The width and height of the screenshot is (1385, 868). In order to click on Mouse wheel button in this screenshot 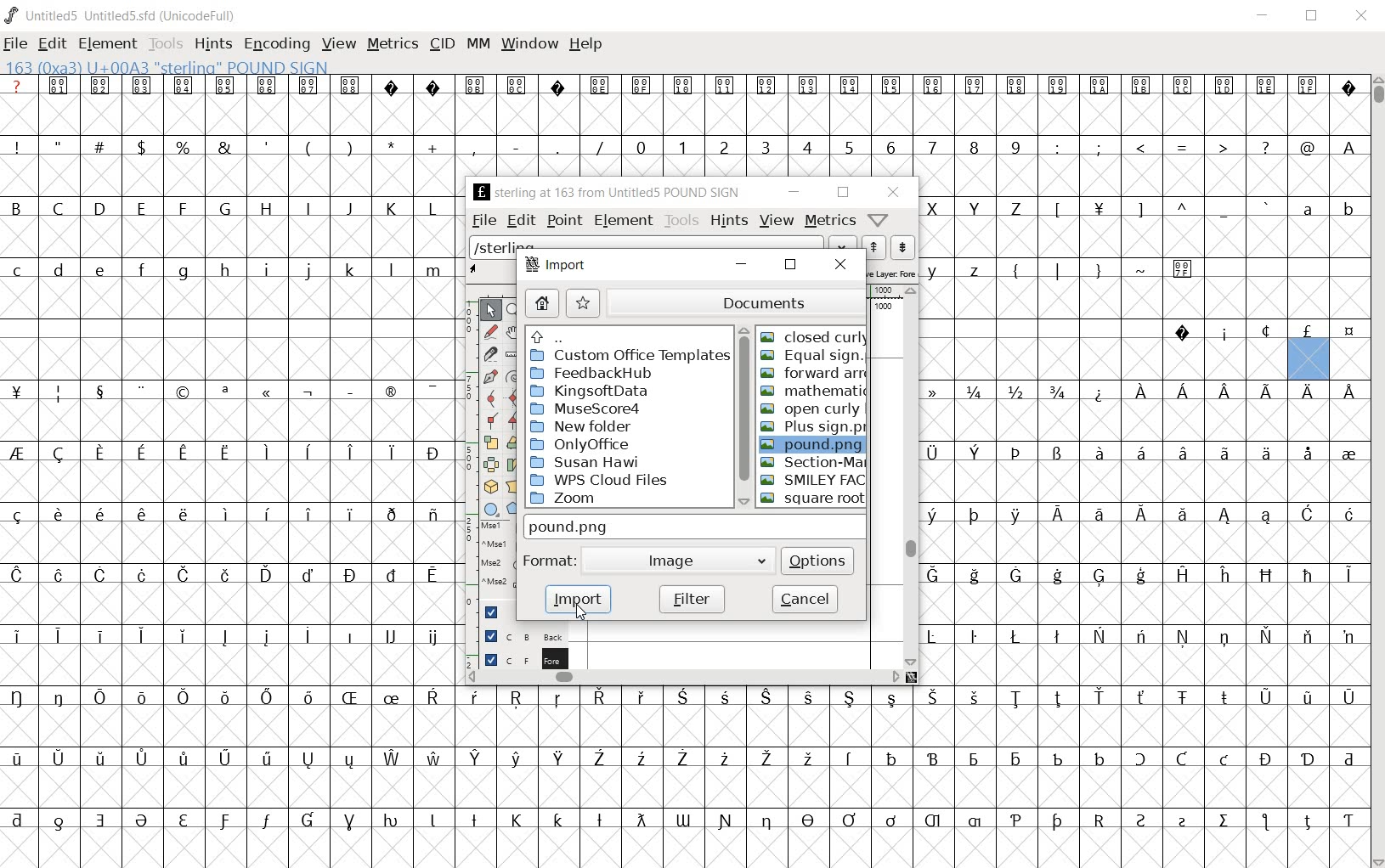, I will do `click(497, 566)`.